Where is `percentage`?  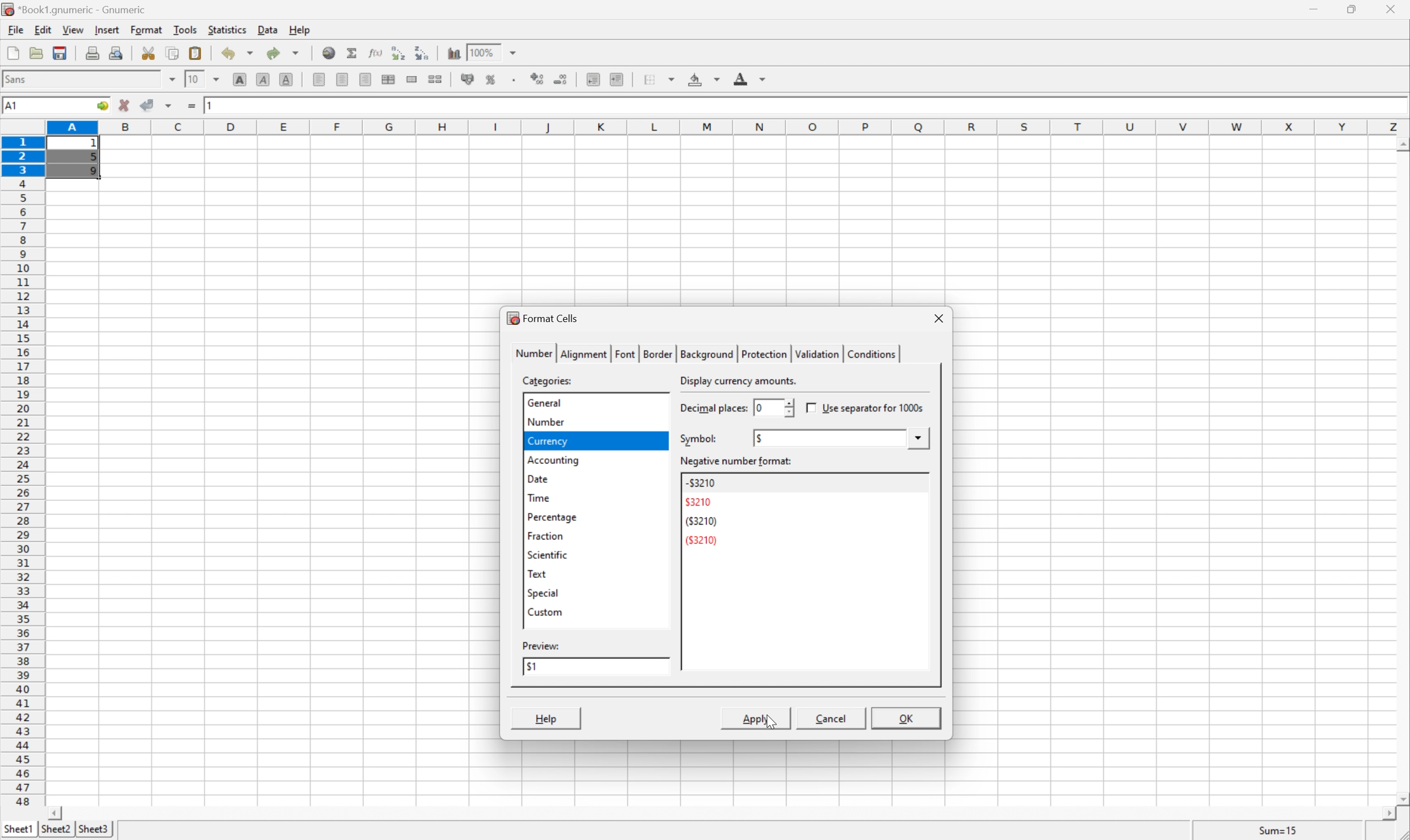
percentage is located at coordinates (553, 517).